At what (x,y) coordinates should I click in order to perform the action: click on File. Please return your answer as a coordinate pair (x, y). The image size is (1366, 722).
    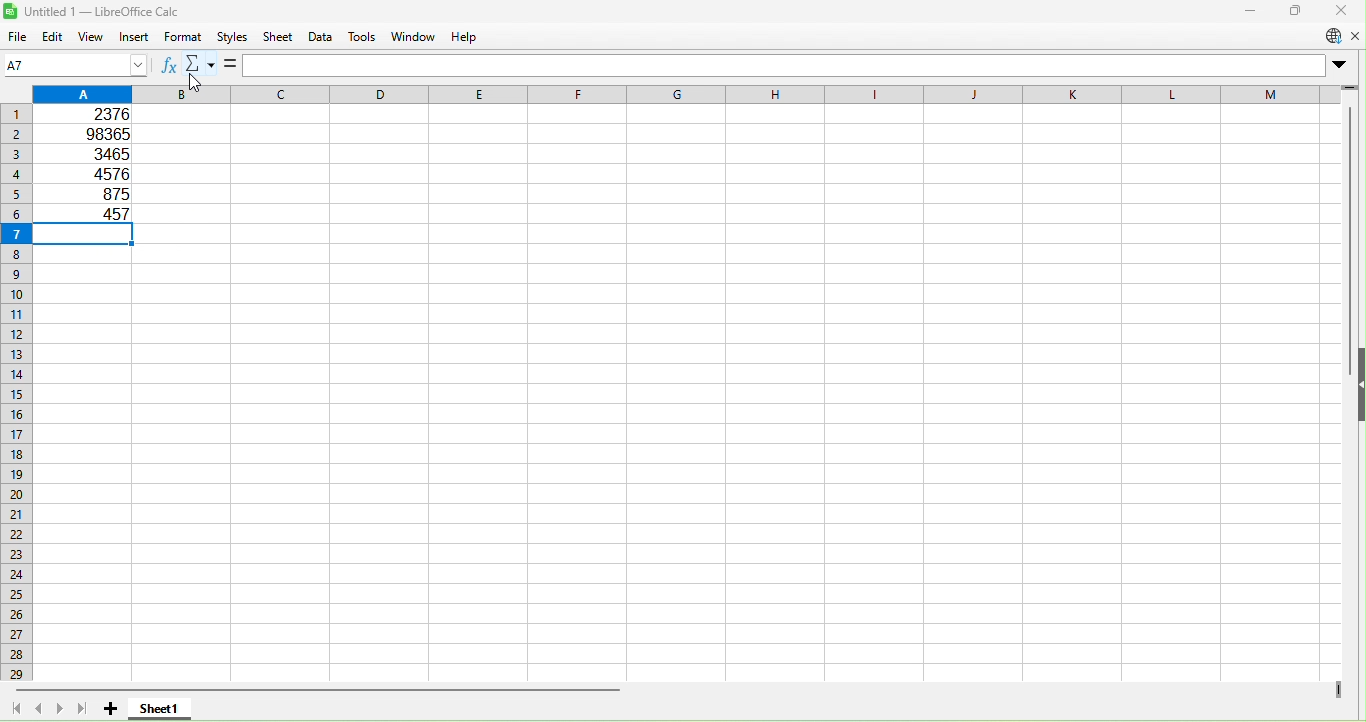
    Looking at the image, I should click on (18, 38).